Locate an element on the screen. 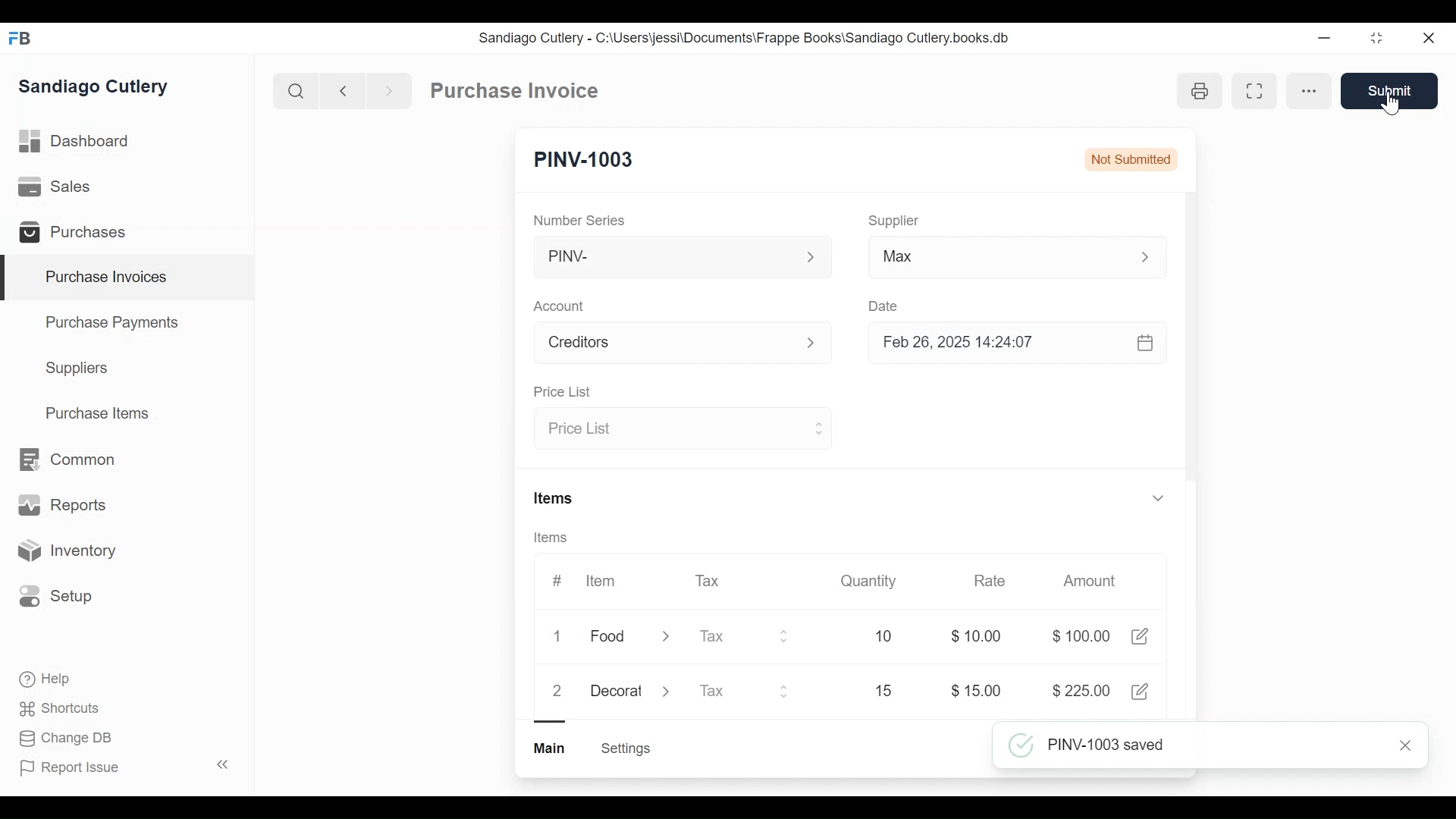  Expand is located at coordinates (820, 344).